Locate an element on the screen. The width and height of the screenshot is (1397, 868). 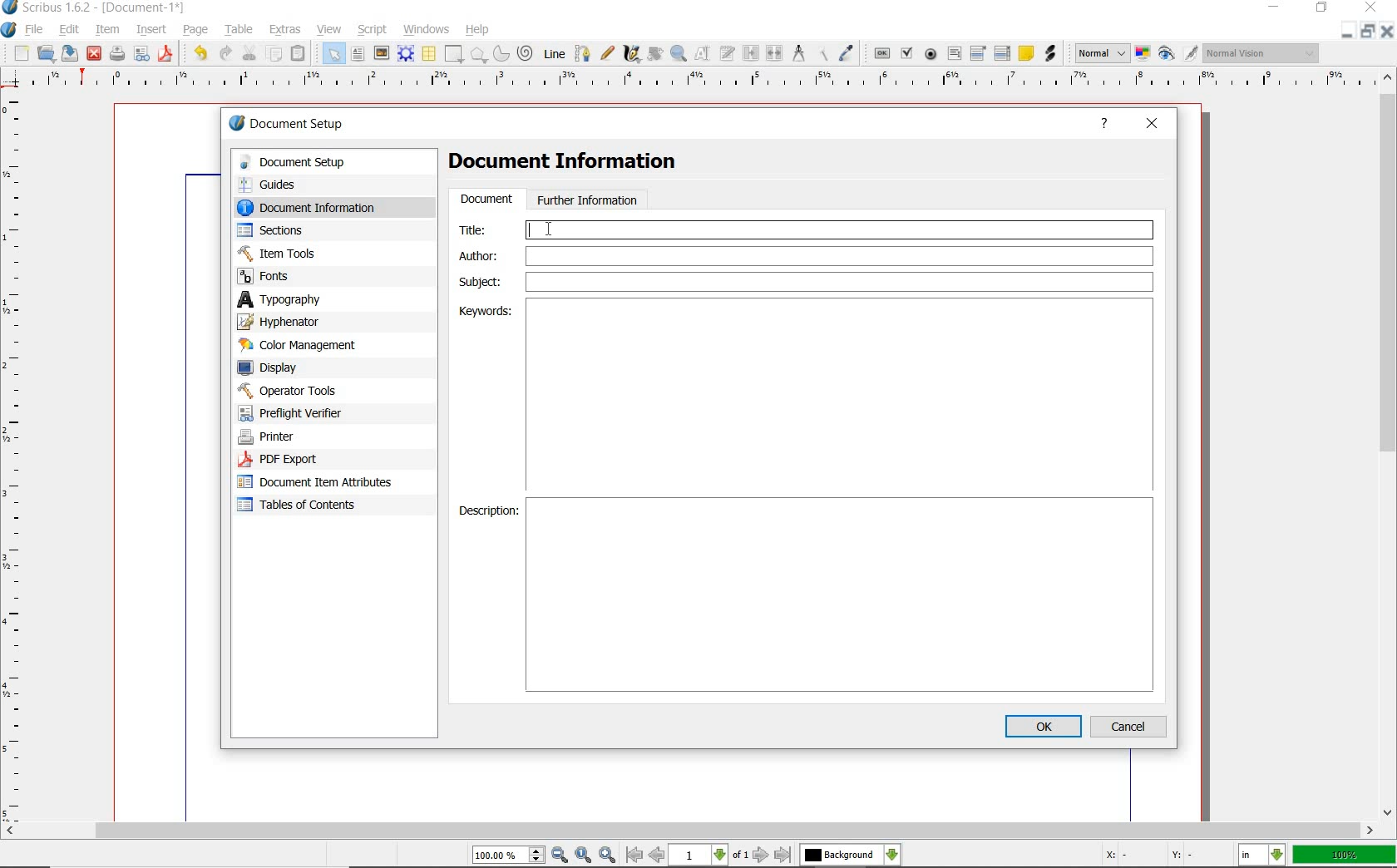
Author is located at coordinates (802, 256).